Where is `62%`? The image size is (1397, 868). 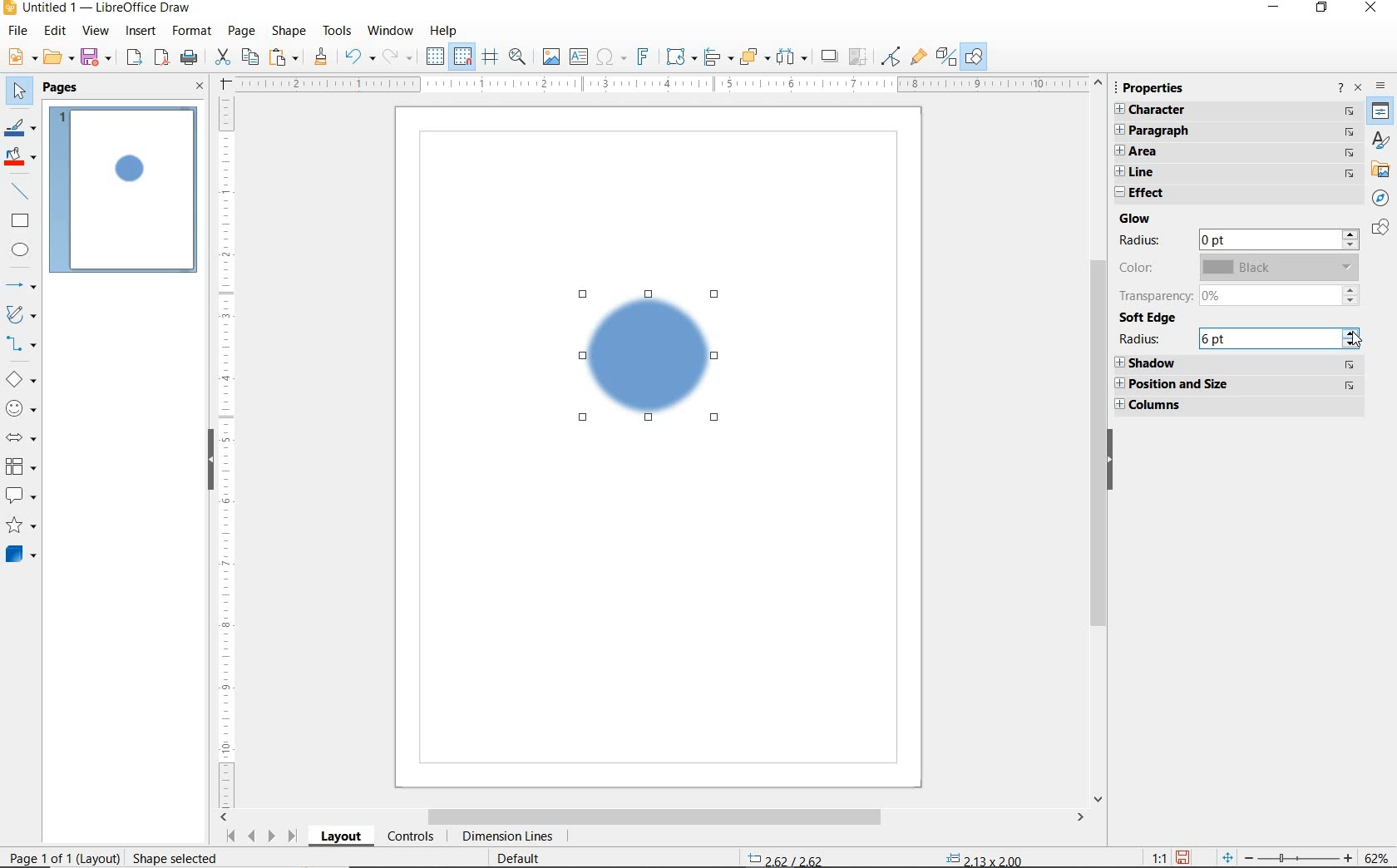 62% is located at coordinates (1380, 857).